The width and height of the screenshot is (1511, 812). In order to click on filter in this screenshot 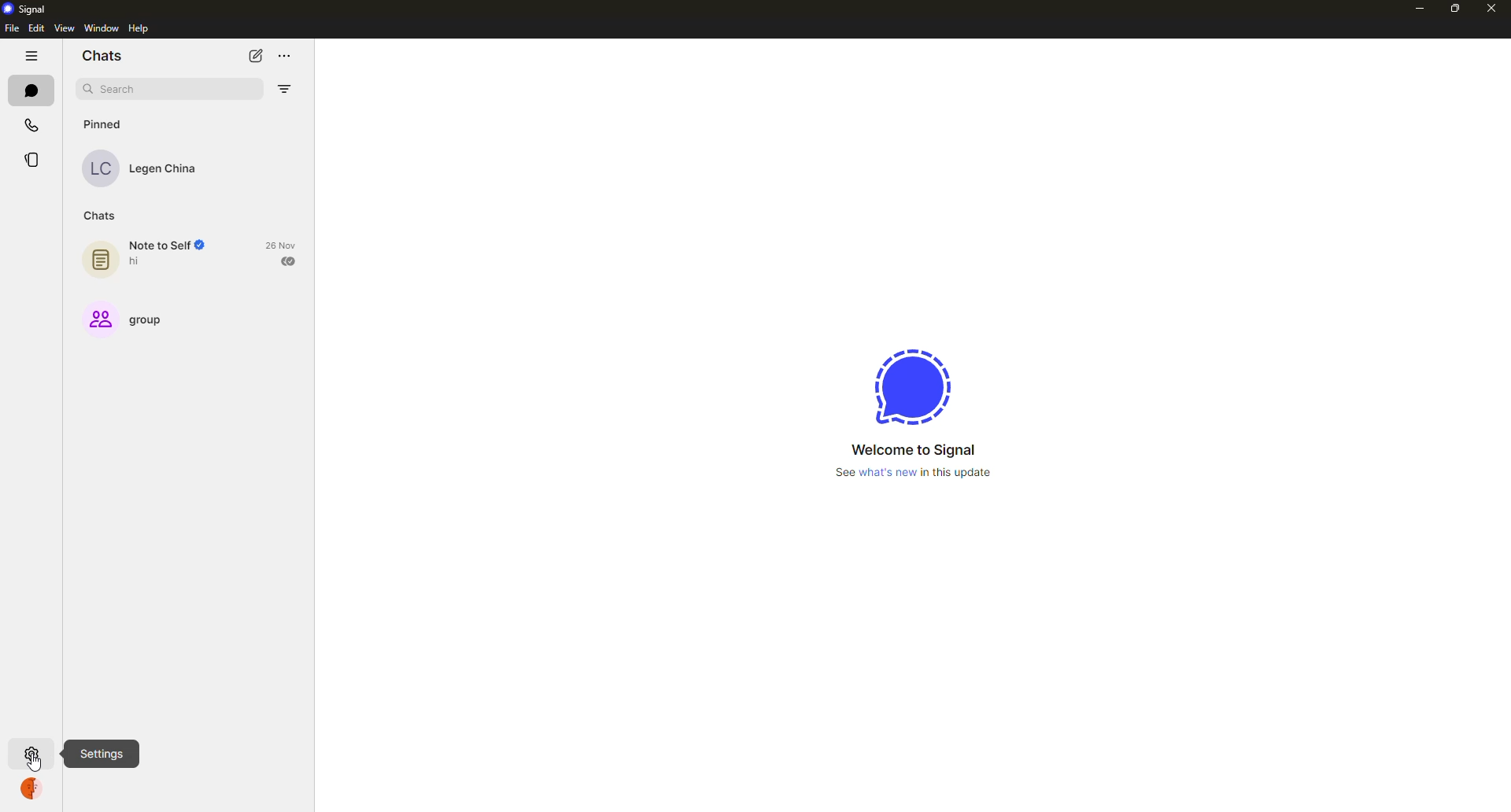, I will do `click(281, 88)`.